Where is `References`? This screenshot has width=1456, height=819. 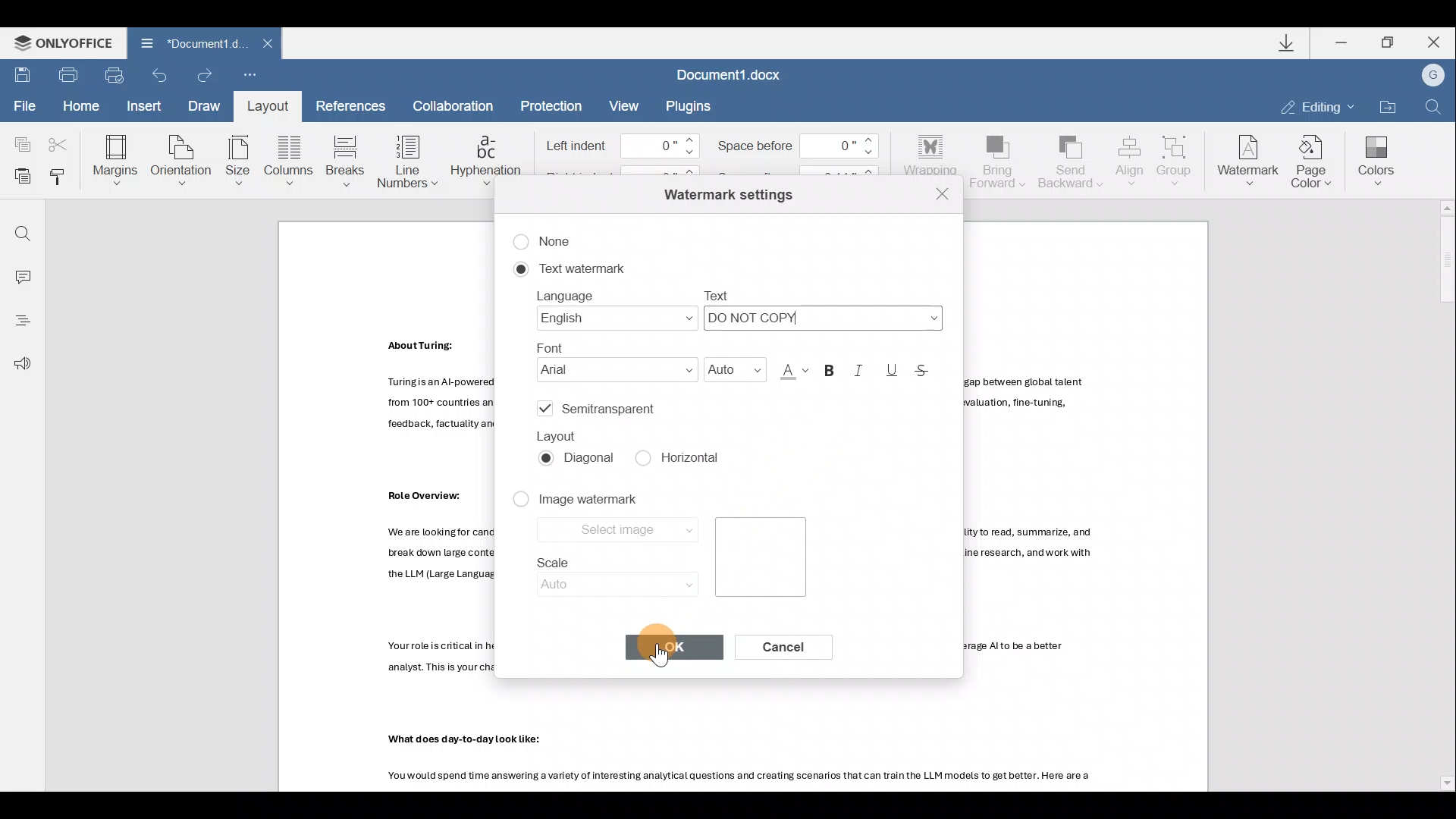
References is located at coordinates (349, 105).